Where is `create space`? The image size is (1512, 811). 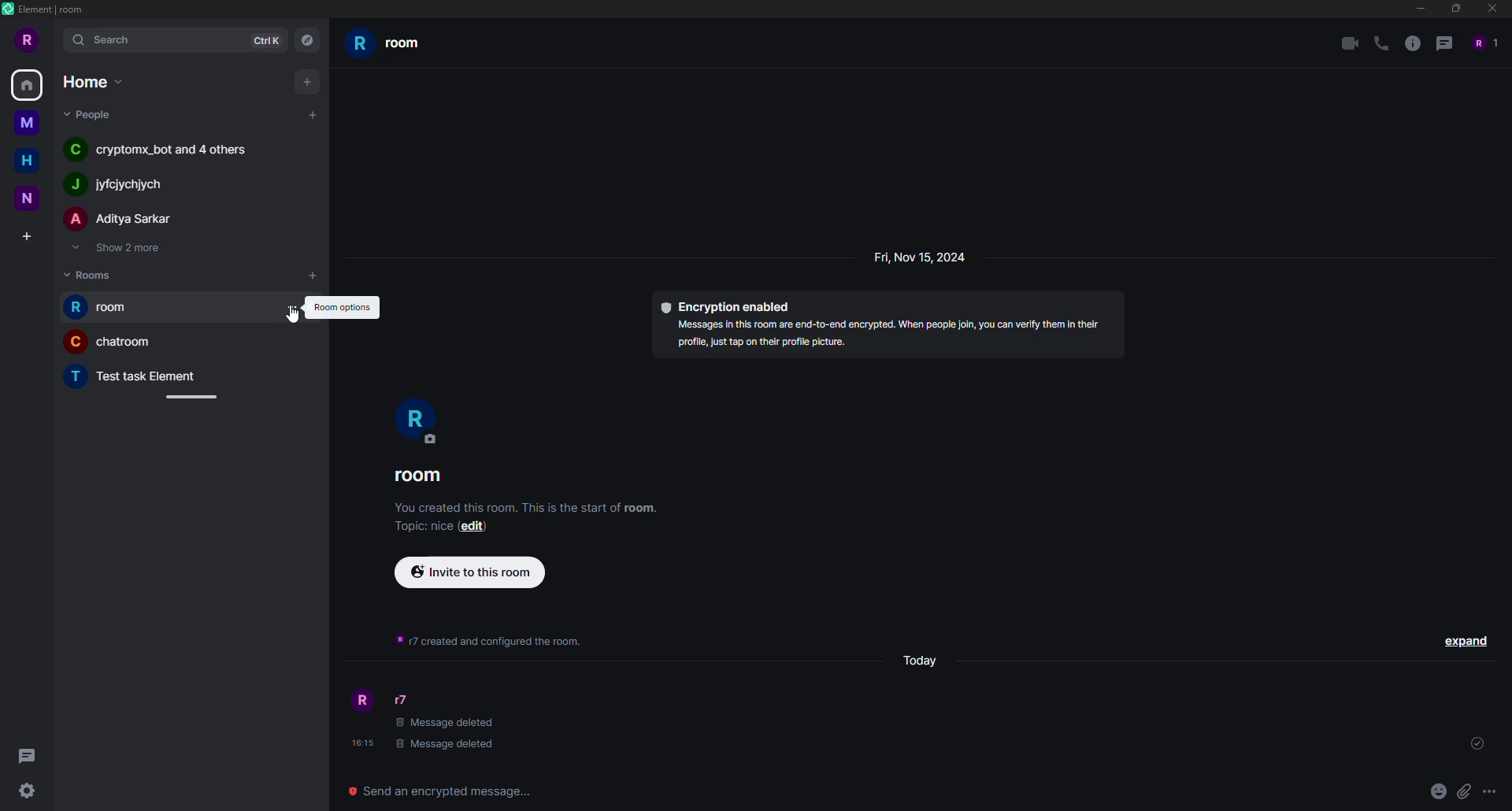
create space is located at coordinates (26, 233).